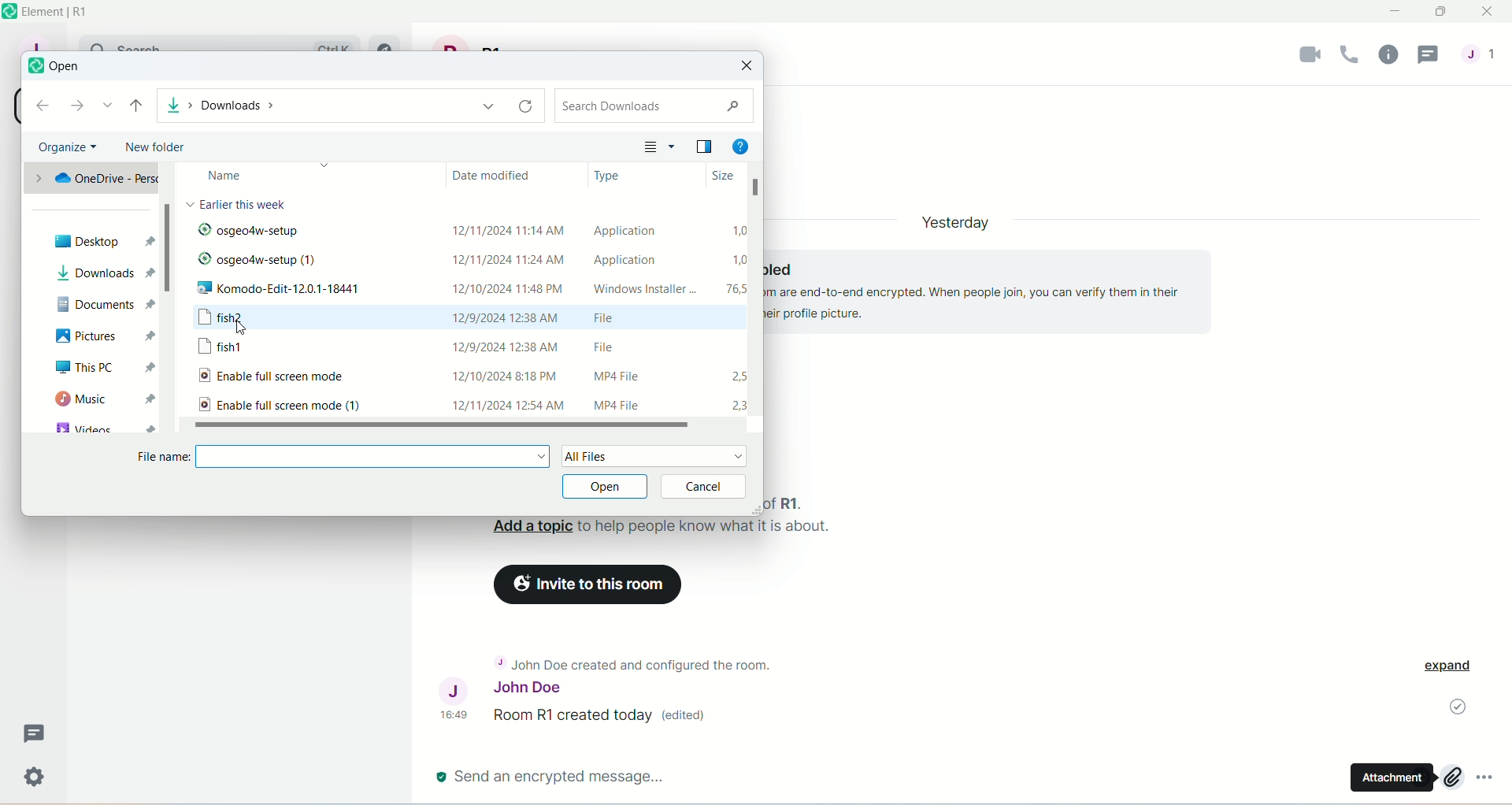  Describe the element at coordinates (1391, 777) in the screenshot. I see `attachment` at that location.